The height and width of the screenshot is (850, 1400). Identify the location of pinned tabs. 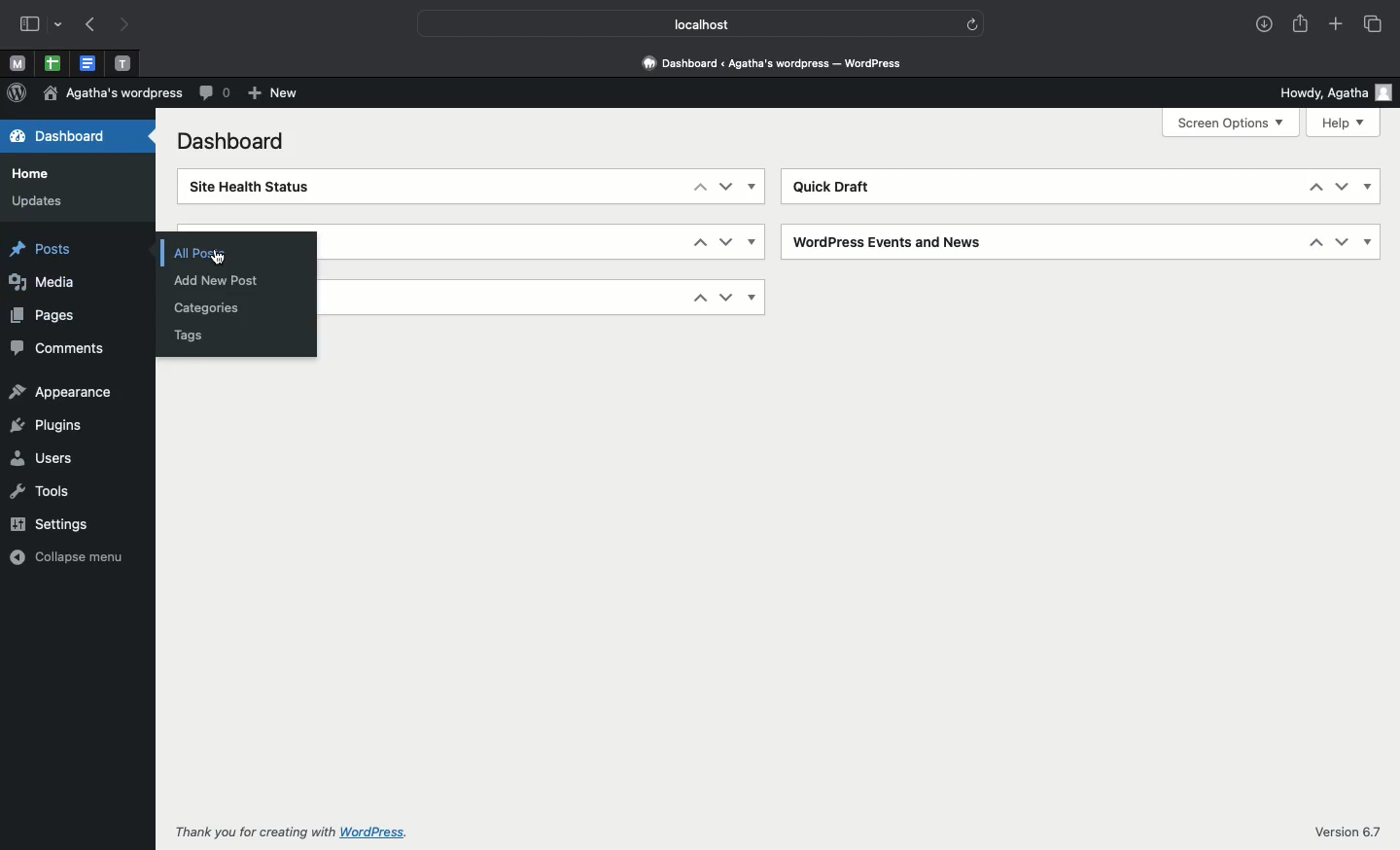
(55, 64).